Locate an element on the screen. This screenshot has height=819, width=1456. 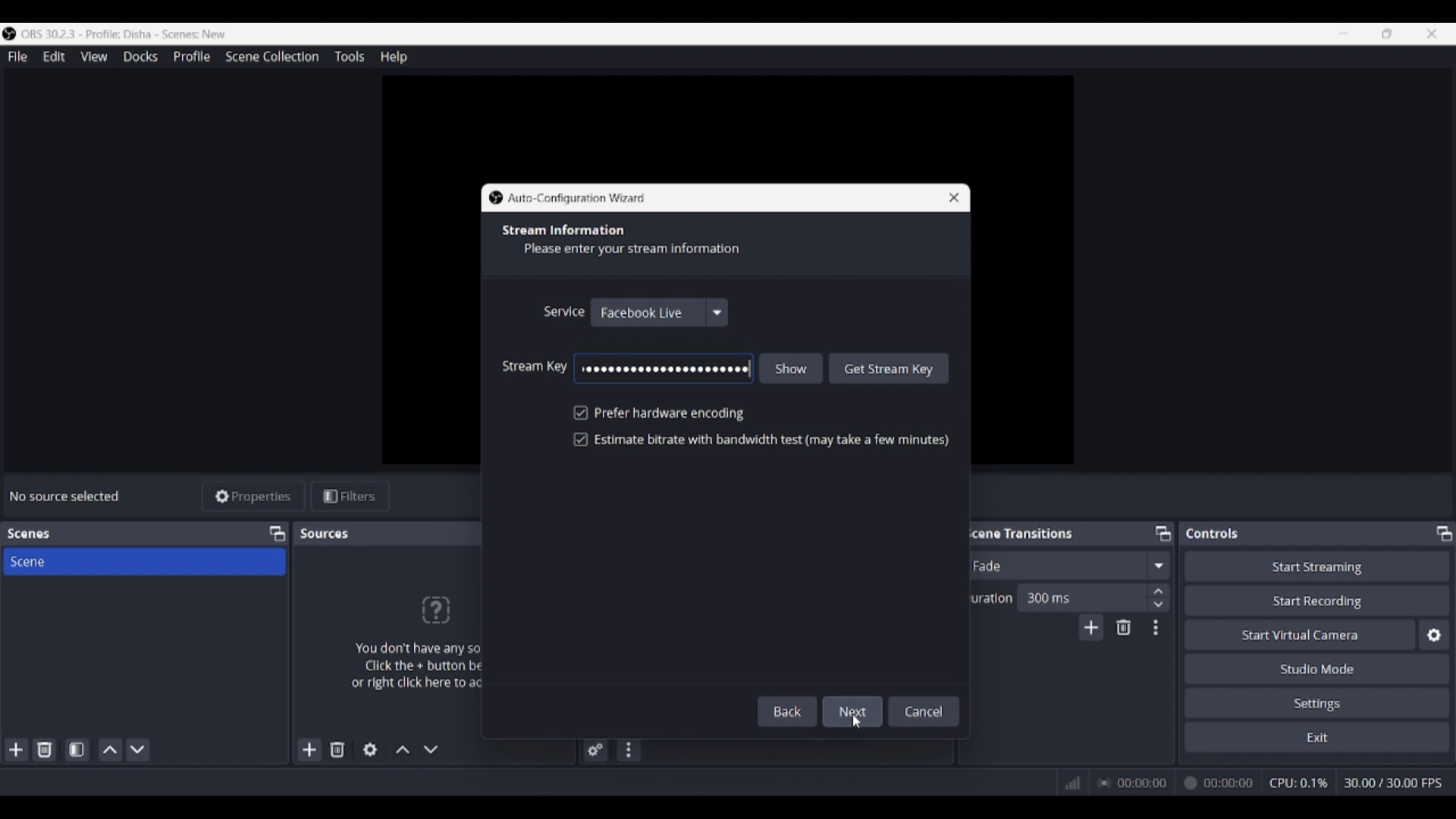
Settings is located at coordinates (1318, 702).